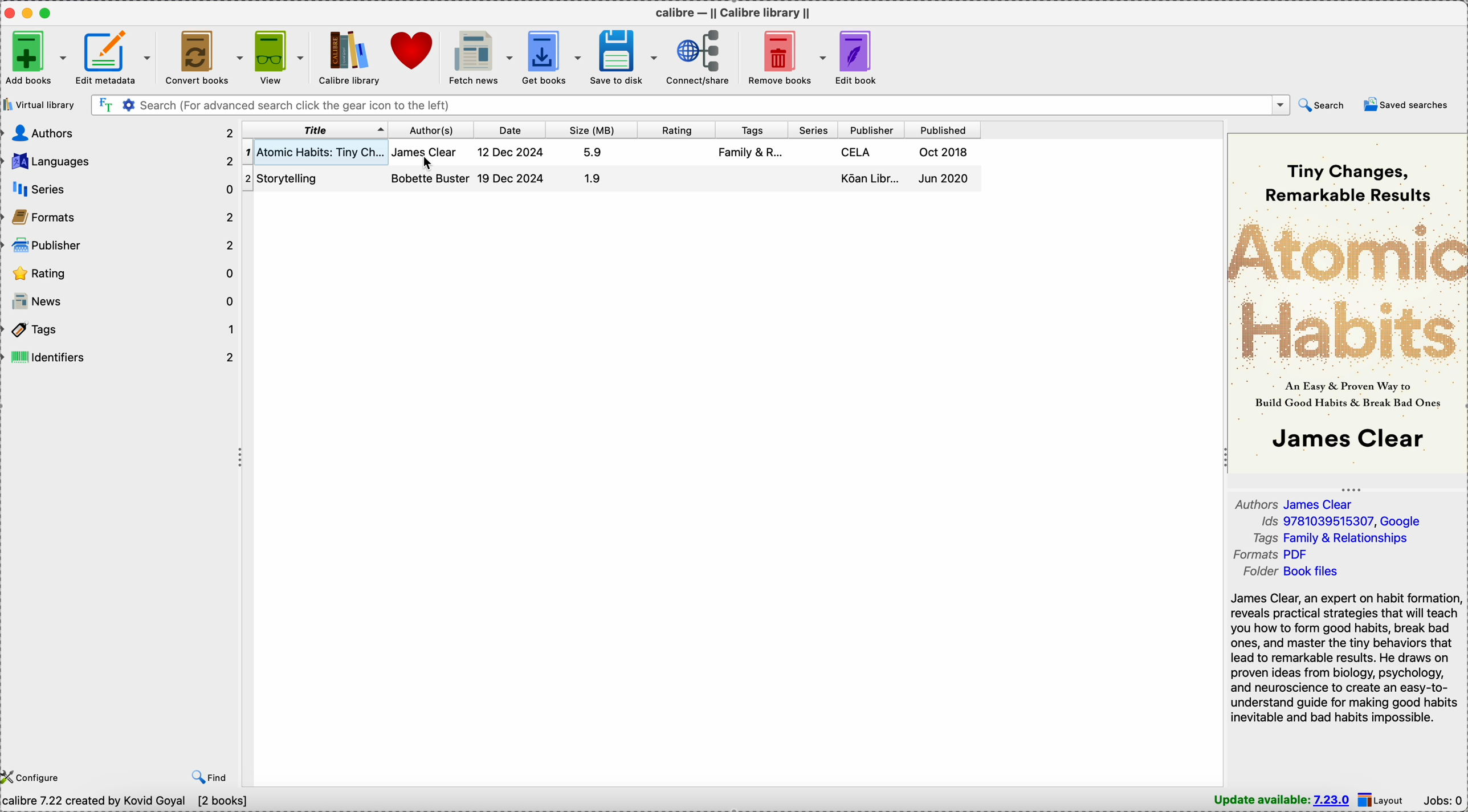  I want to click on search bar, so click(688, 105).